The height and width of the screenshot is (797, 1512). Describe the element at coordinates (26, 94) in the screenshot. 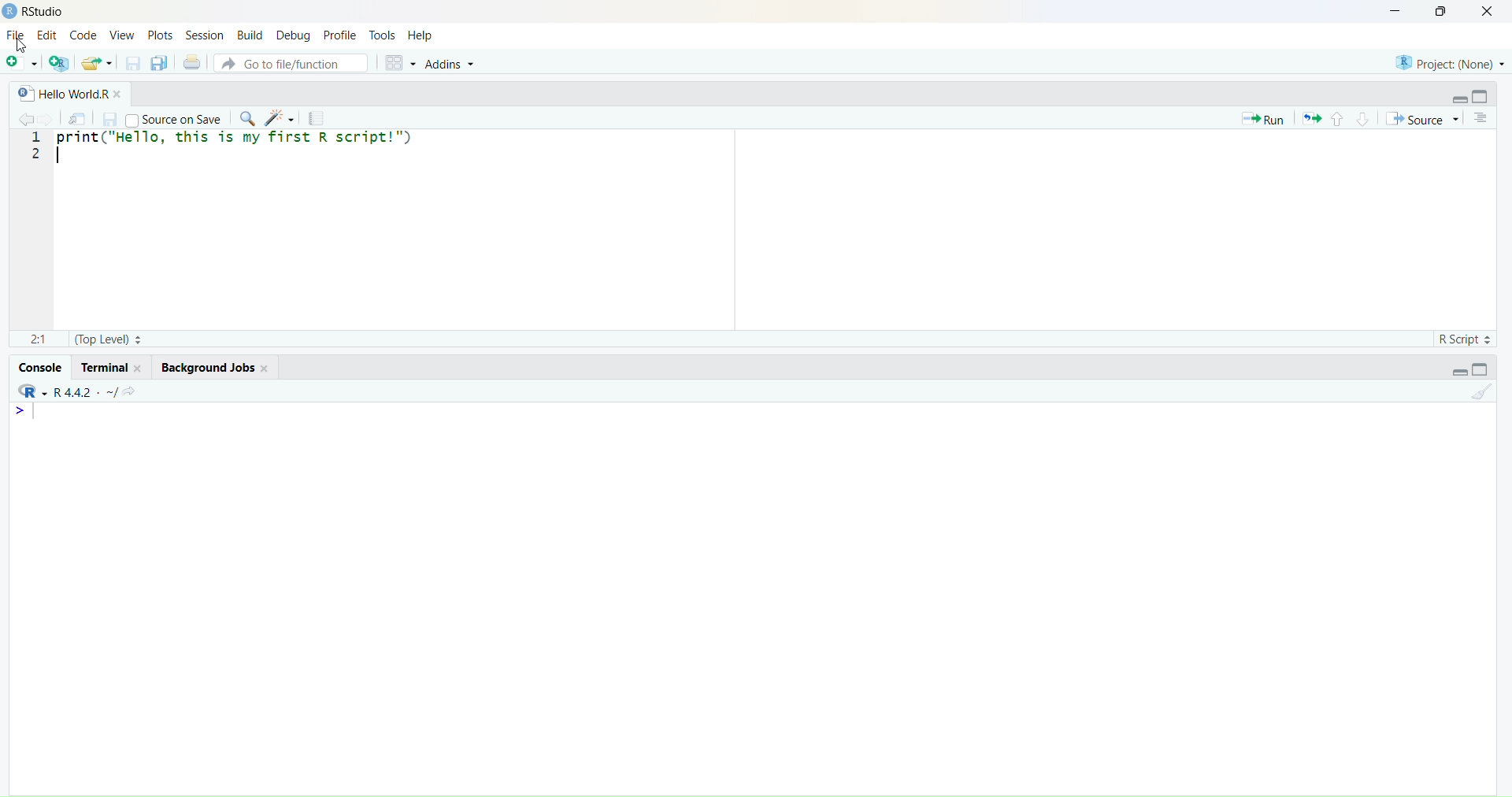

I see `R document` at that location.